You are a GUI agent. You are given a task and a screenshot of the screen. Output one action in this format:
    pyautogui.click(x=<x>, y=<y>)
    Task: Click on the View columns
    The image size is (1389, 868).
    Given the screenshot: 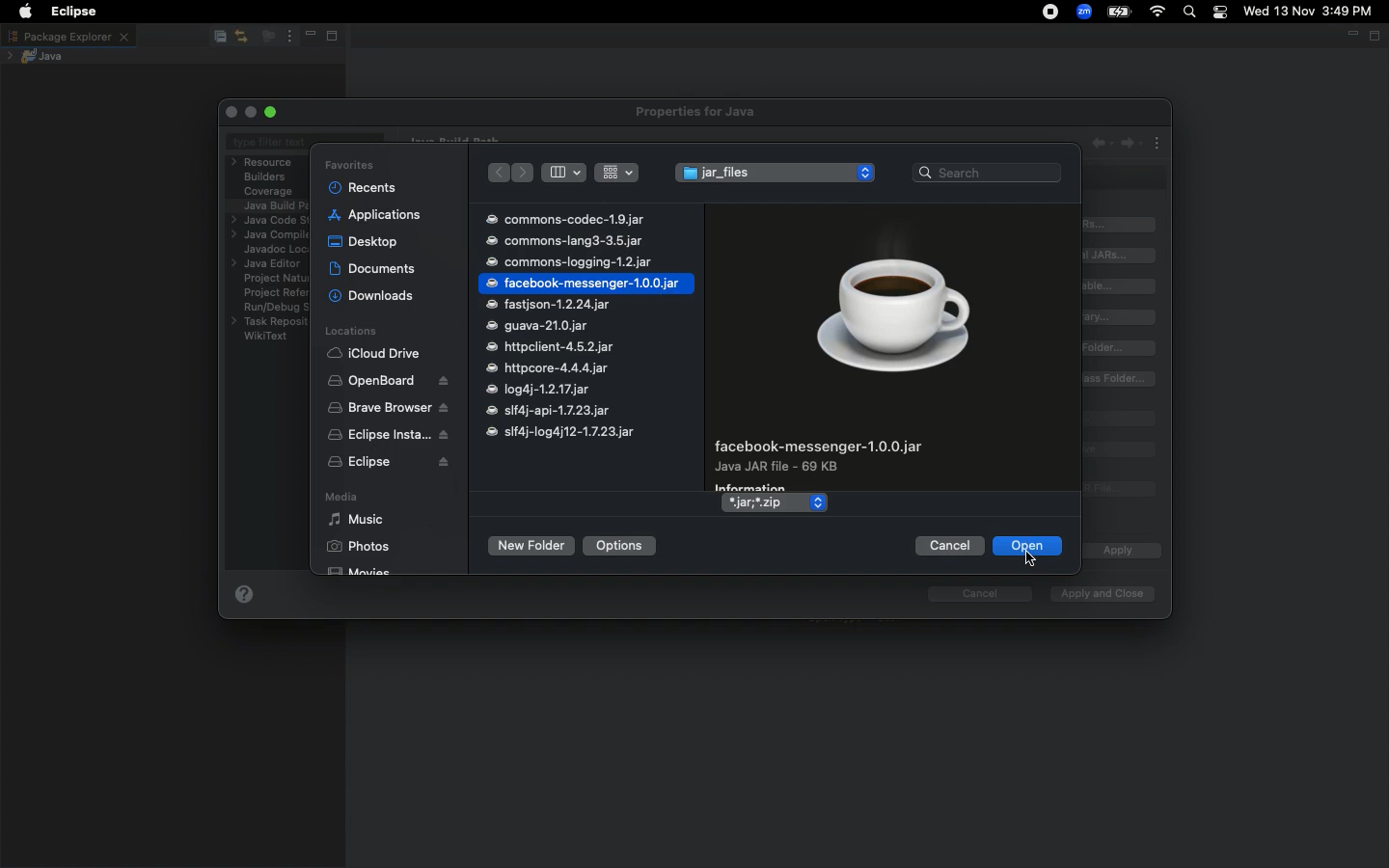 What is the action you would take?
    pyautogui.click(x=563, y=172)
    